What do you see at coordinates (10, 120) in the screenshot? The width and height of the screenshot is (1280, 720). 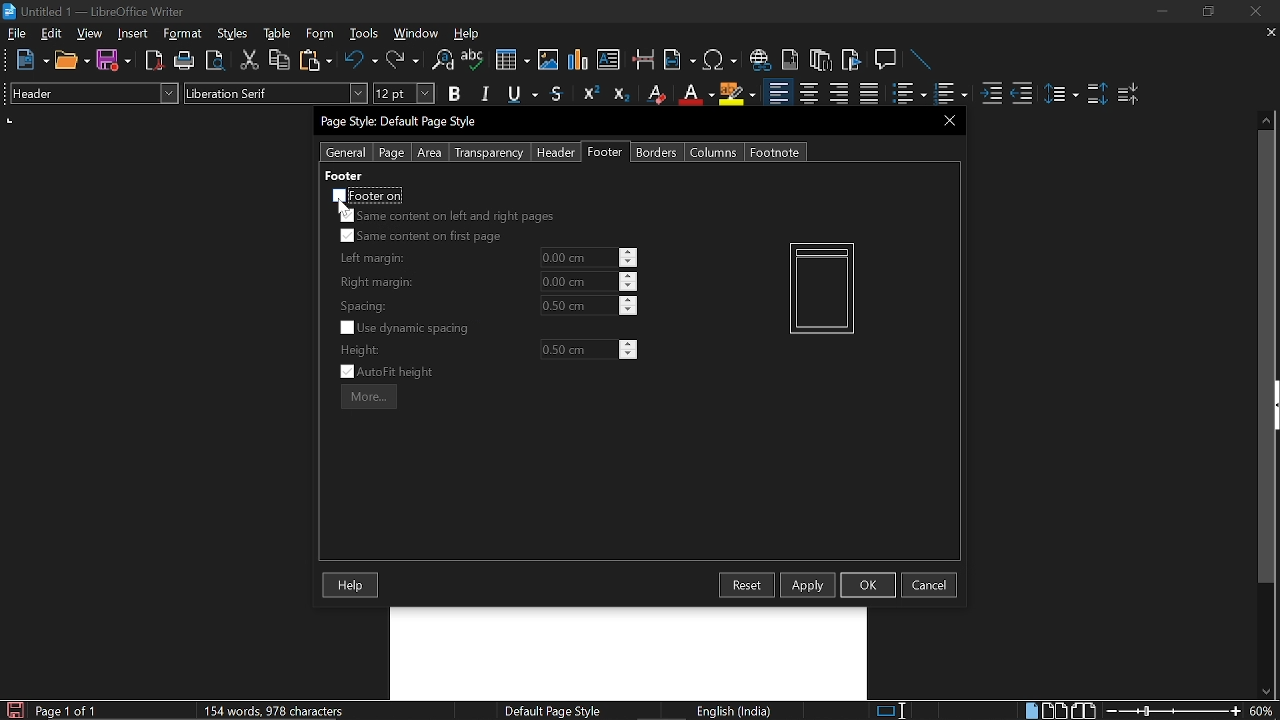 I see `unit` at bounding box center [10, 120].